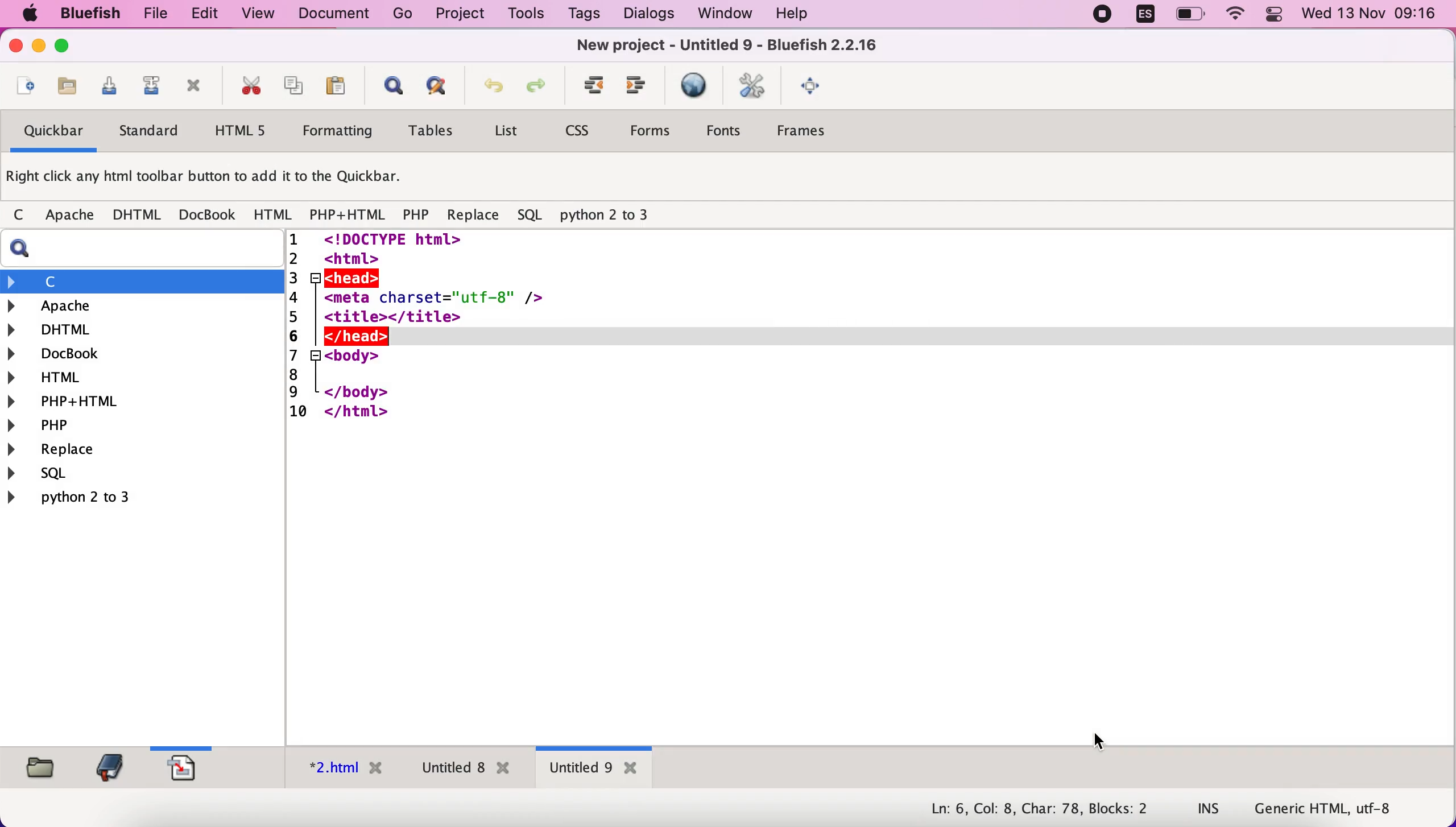  What do you see at coordinates (199, 14) in the screenshot?
I see `edit` at bounding box center [199, 14].